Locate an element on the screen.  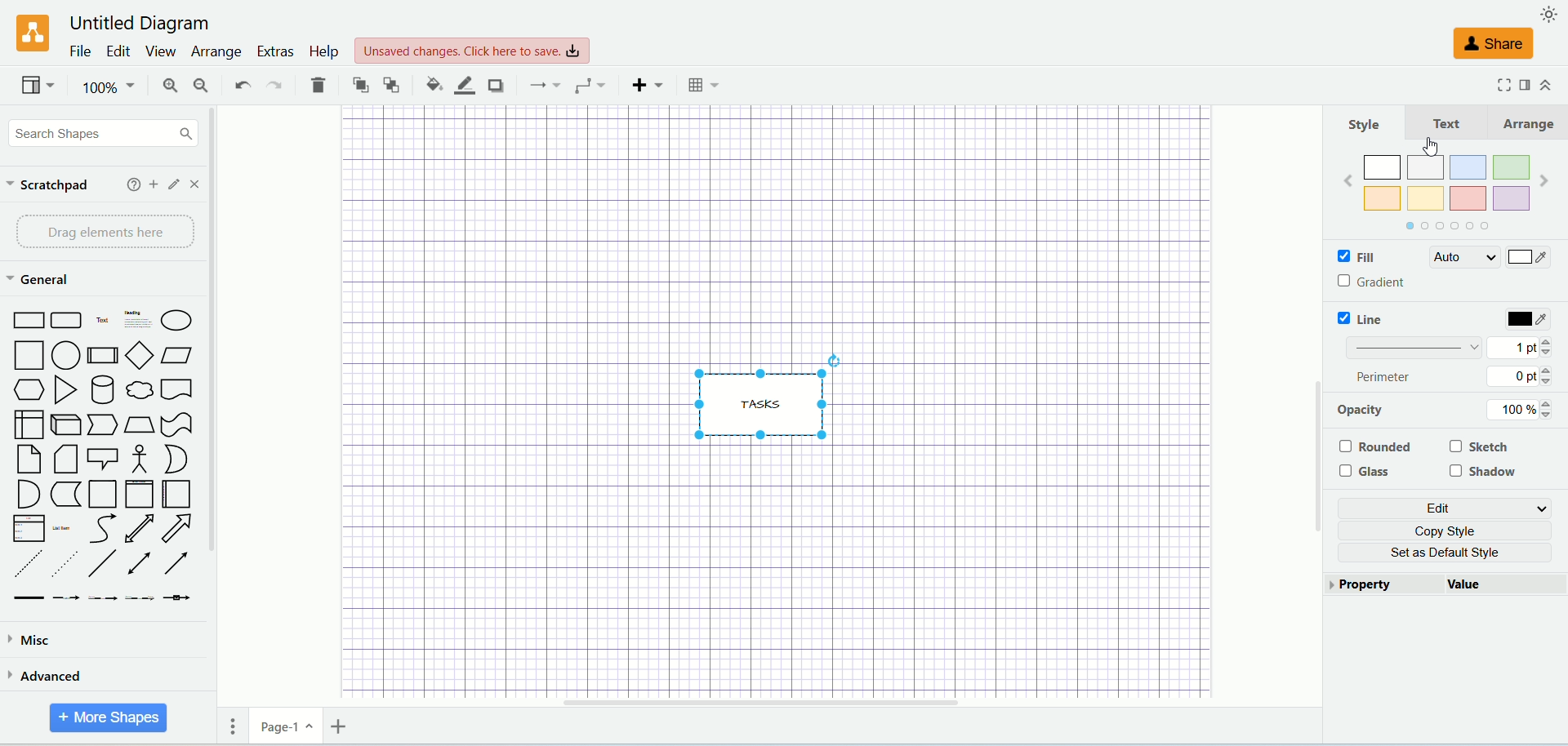
Line is located at coordinates (104, 565).